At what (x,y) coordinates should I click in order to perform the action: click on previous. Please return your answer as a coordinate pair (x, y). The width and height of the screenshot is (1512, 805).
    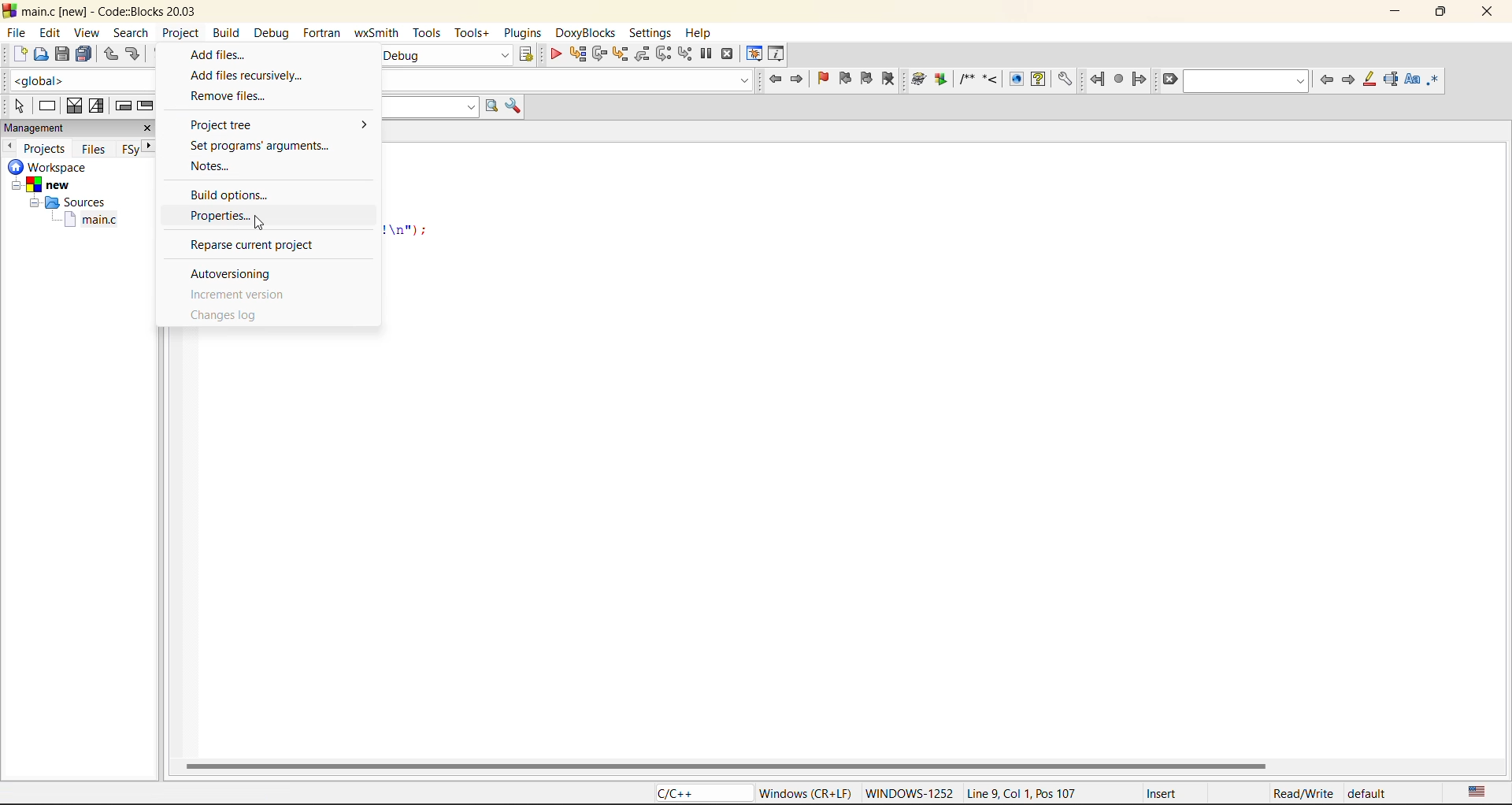
    Looking at the image, I should click on (1327, 81).